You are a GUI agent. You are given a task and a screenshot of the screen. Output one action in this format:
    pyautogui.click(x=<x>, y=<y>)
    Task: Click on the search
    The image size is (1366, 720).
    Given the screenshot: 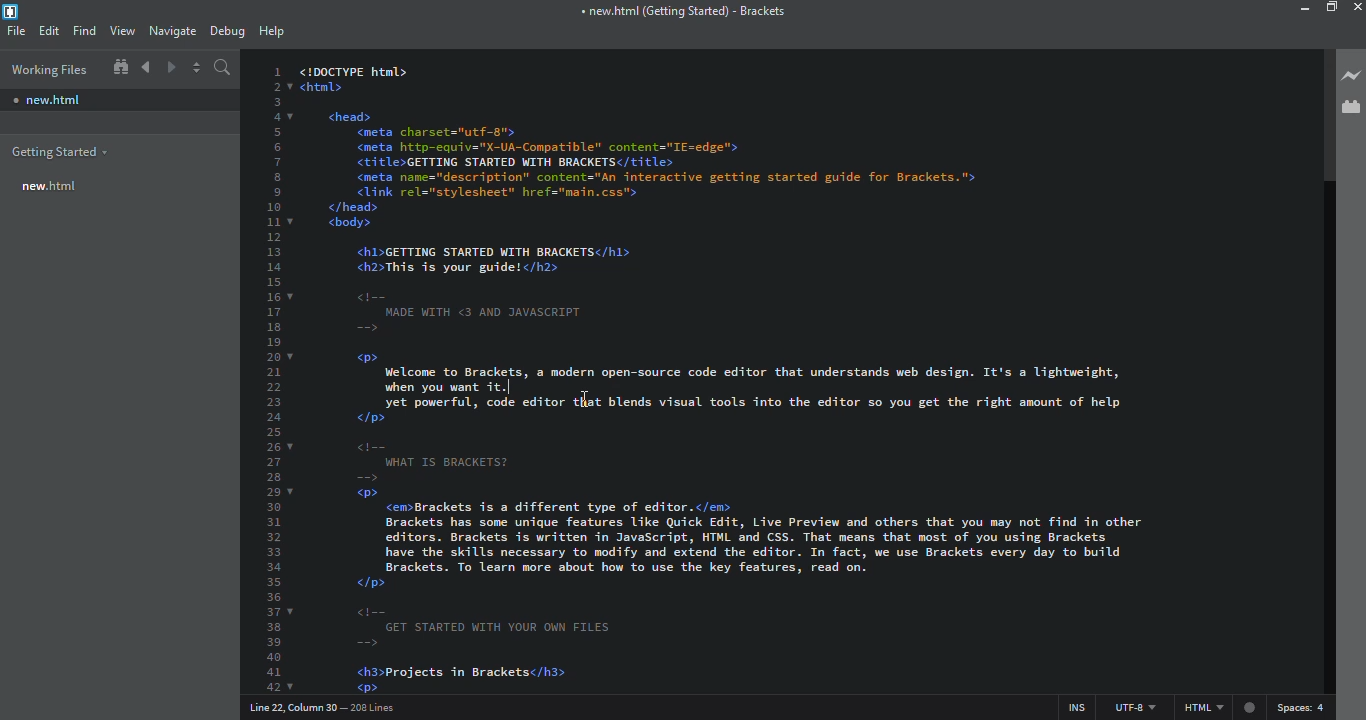 What is the action you would take?
    pyautogui.click(x=223, y=67)
    